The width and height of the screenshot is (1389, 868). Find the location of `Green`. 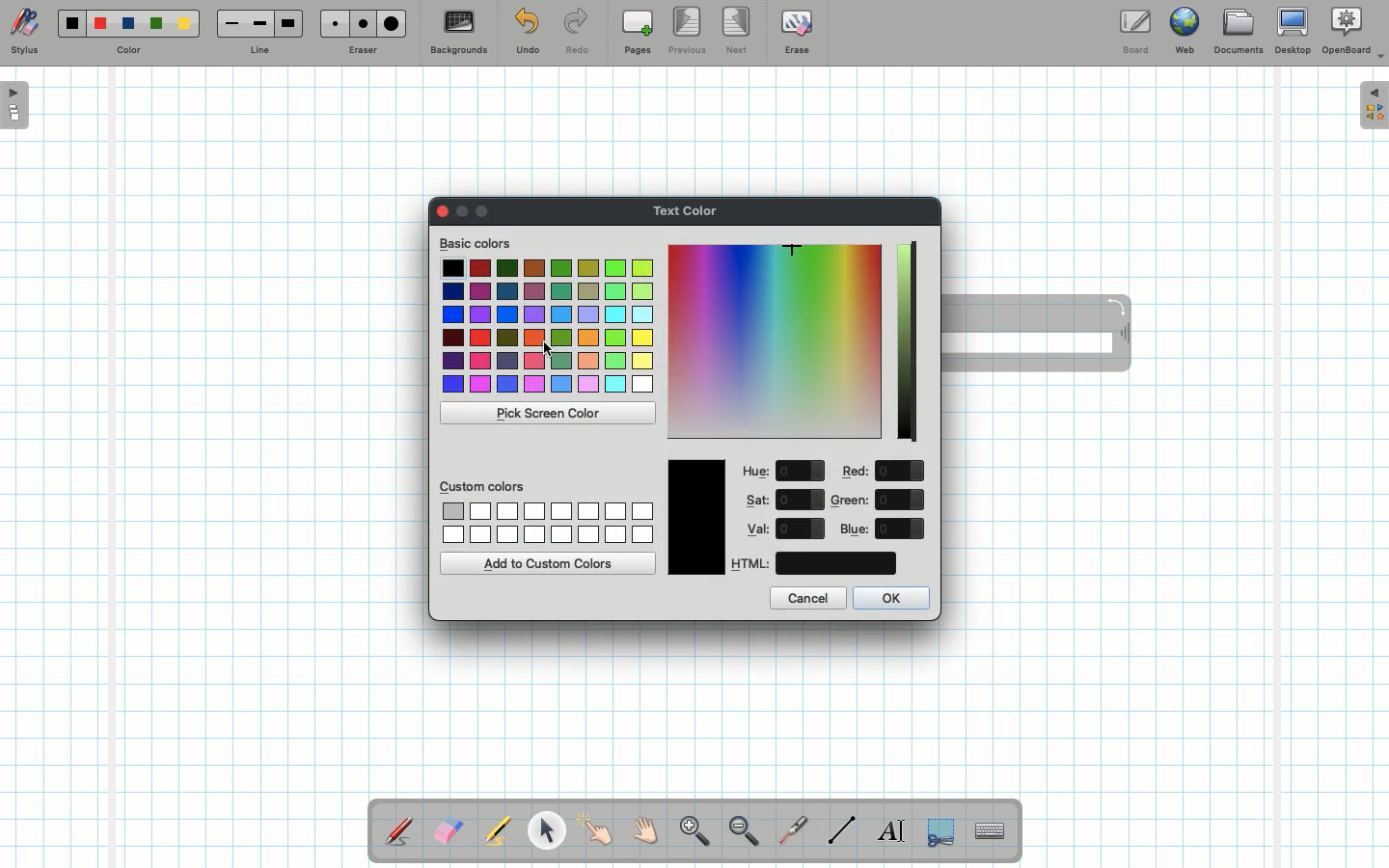

Green is located at coordinates (851, 501).